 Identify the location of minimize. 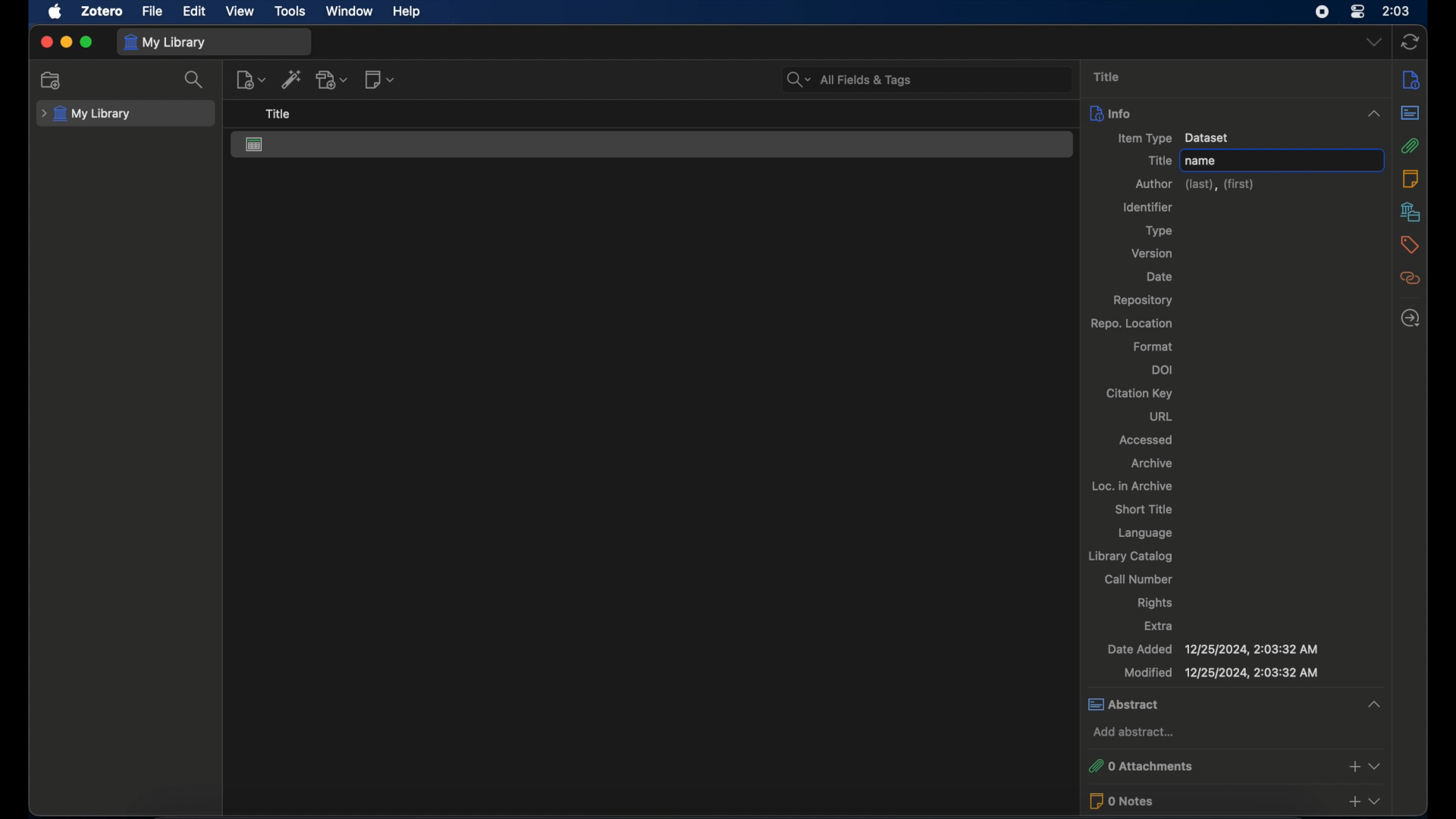
(67, 42).